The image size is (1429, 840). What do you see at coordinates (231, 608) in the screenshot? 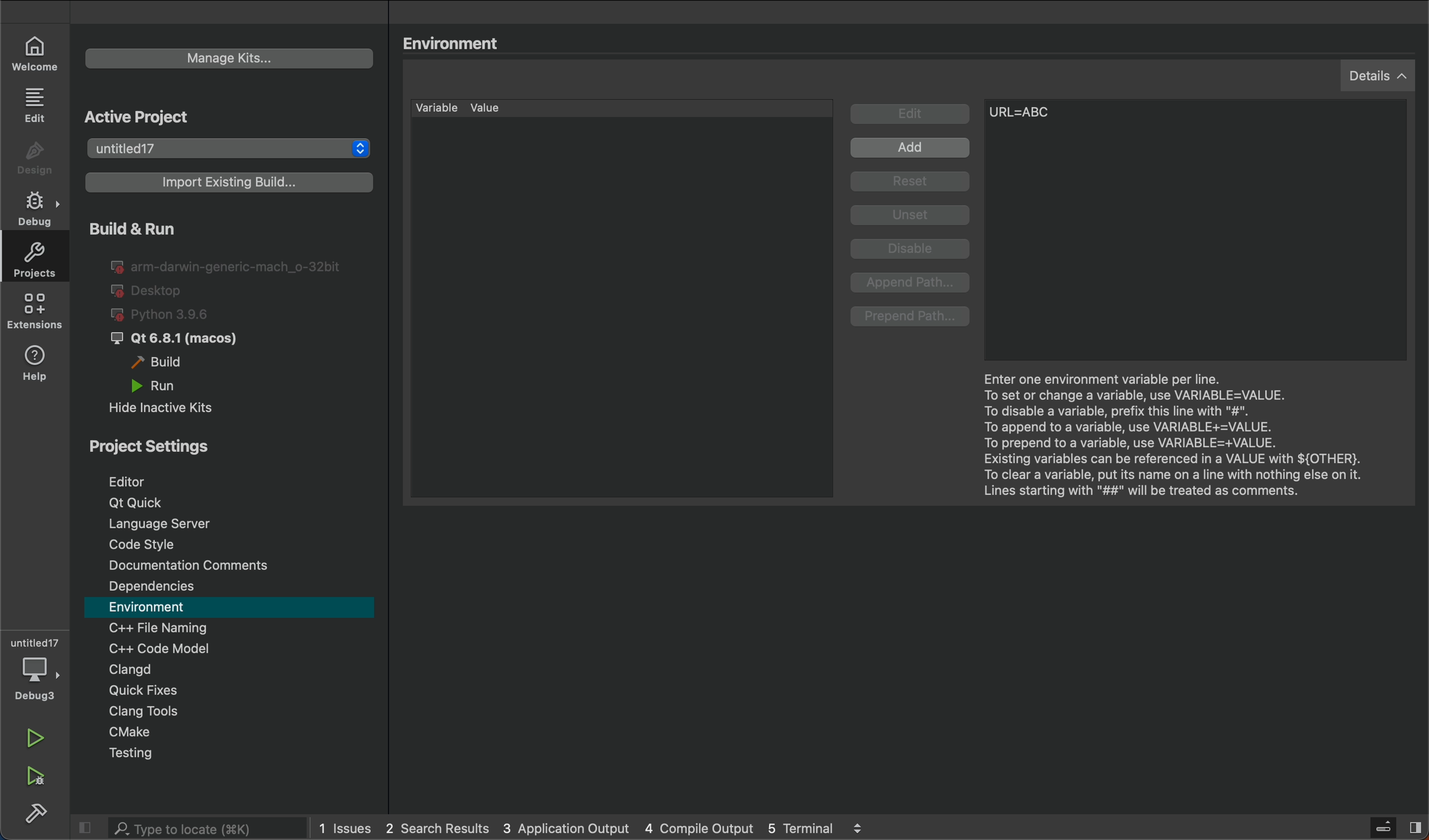
I see `environment` at bounding box center [231, 608].